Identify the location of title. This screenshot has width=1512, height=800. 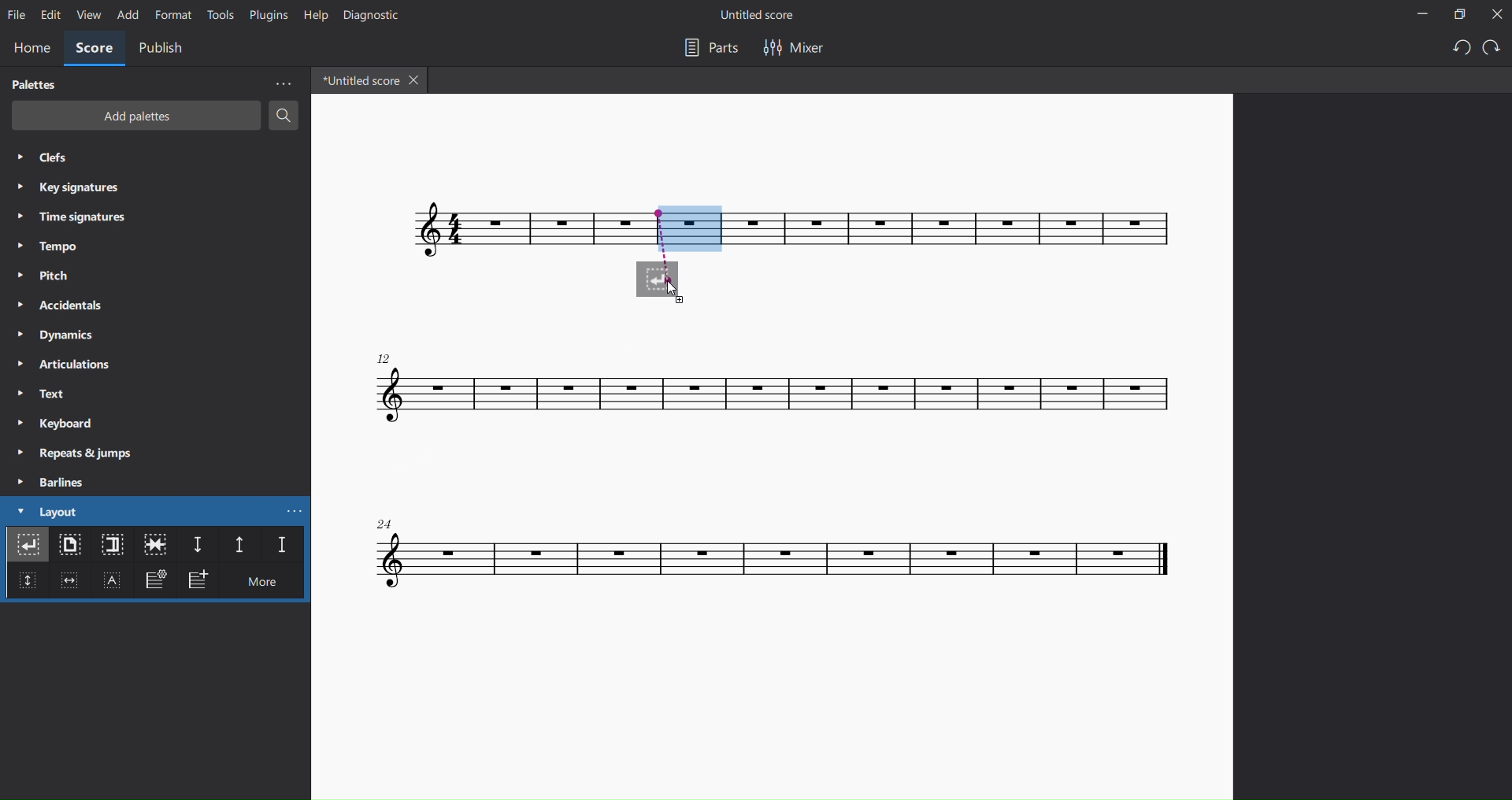
(765, 14).